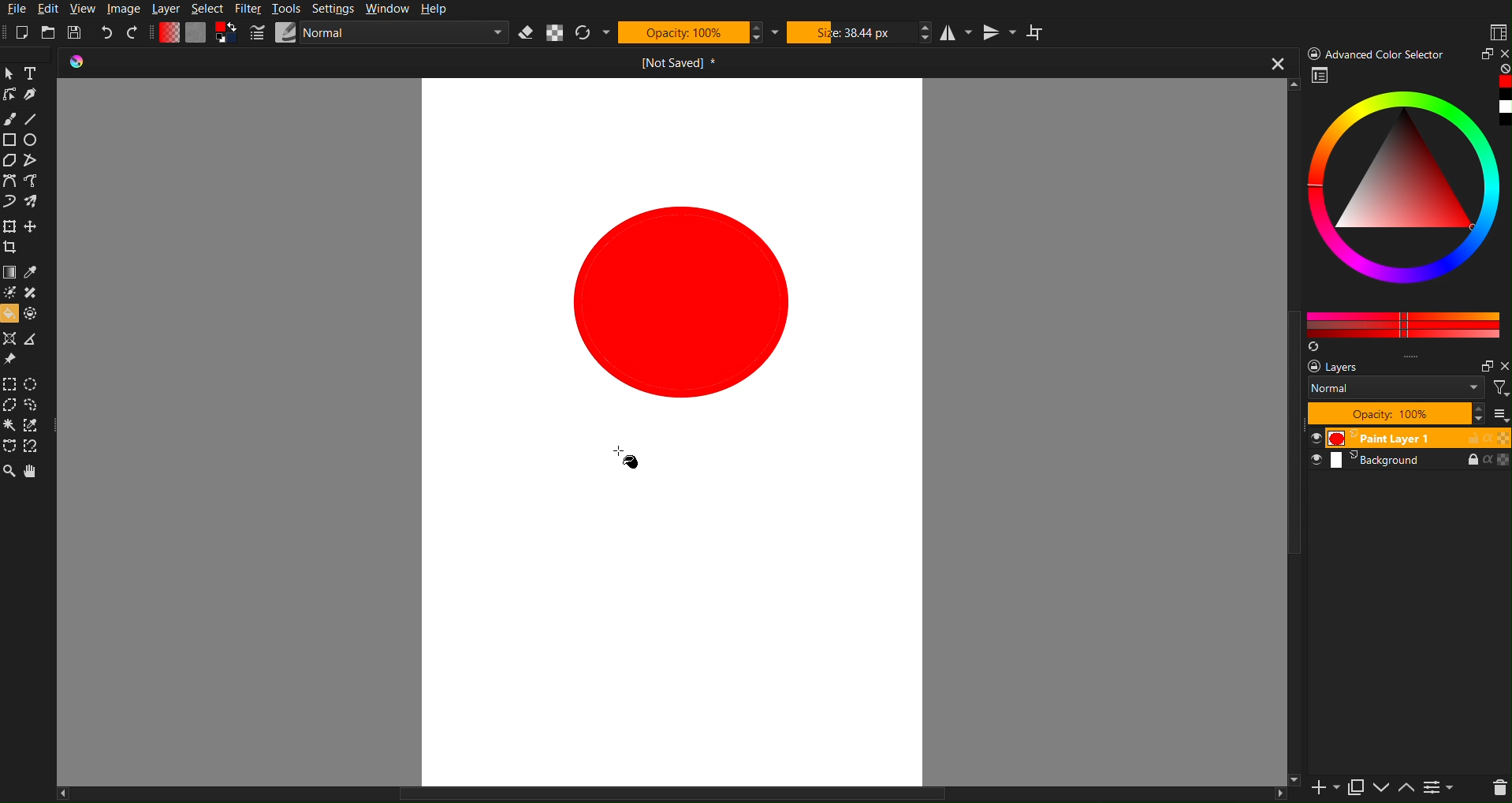  I want to click on Measure, so click(35, 342).